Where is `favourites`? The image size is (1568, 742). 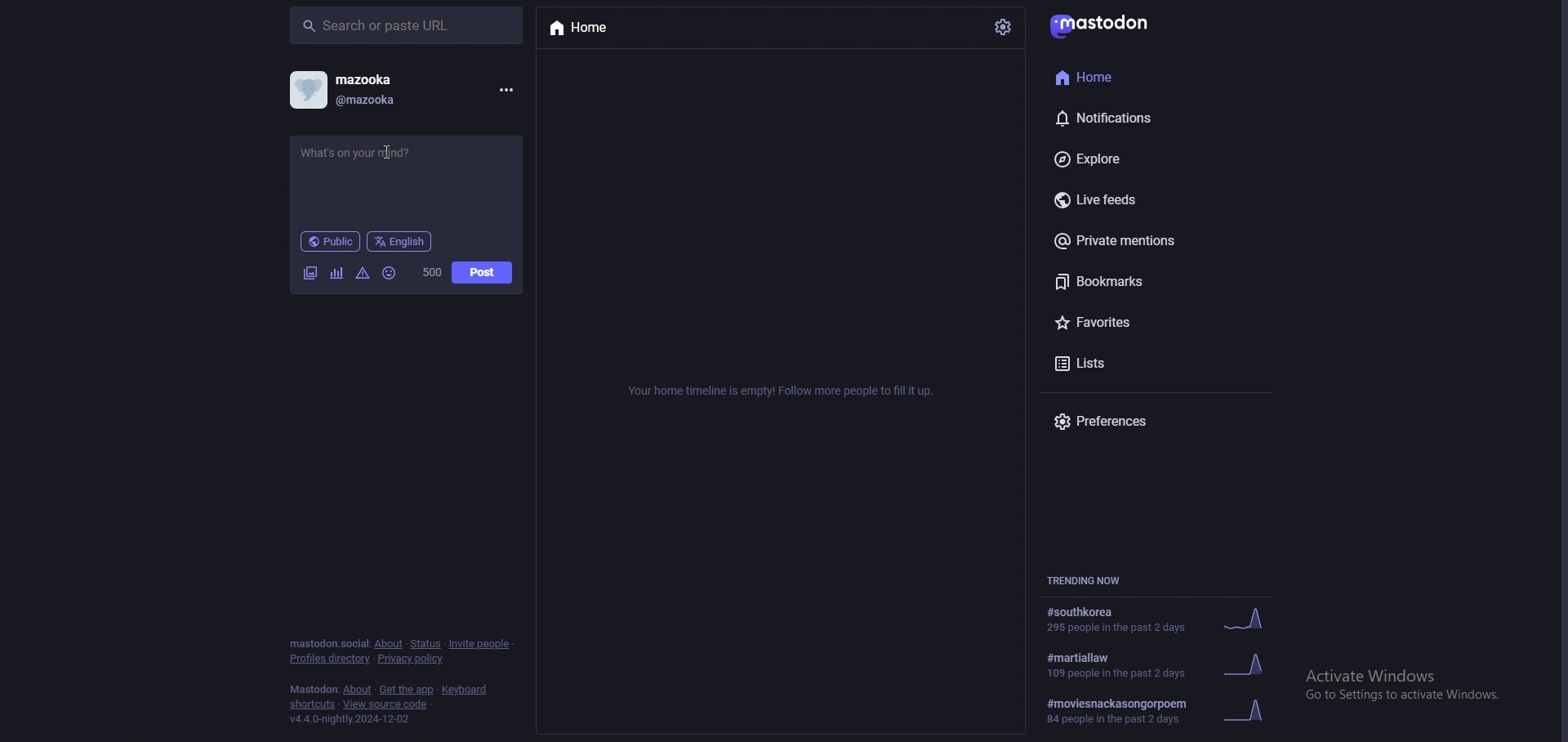
favourites is located at coordinates (1127, 322).